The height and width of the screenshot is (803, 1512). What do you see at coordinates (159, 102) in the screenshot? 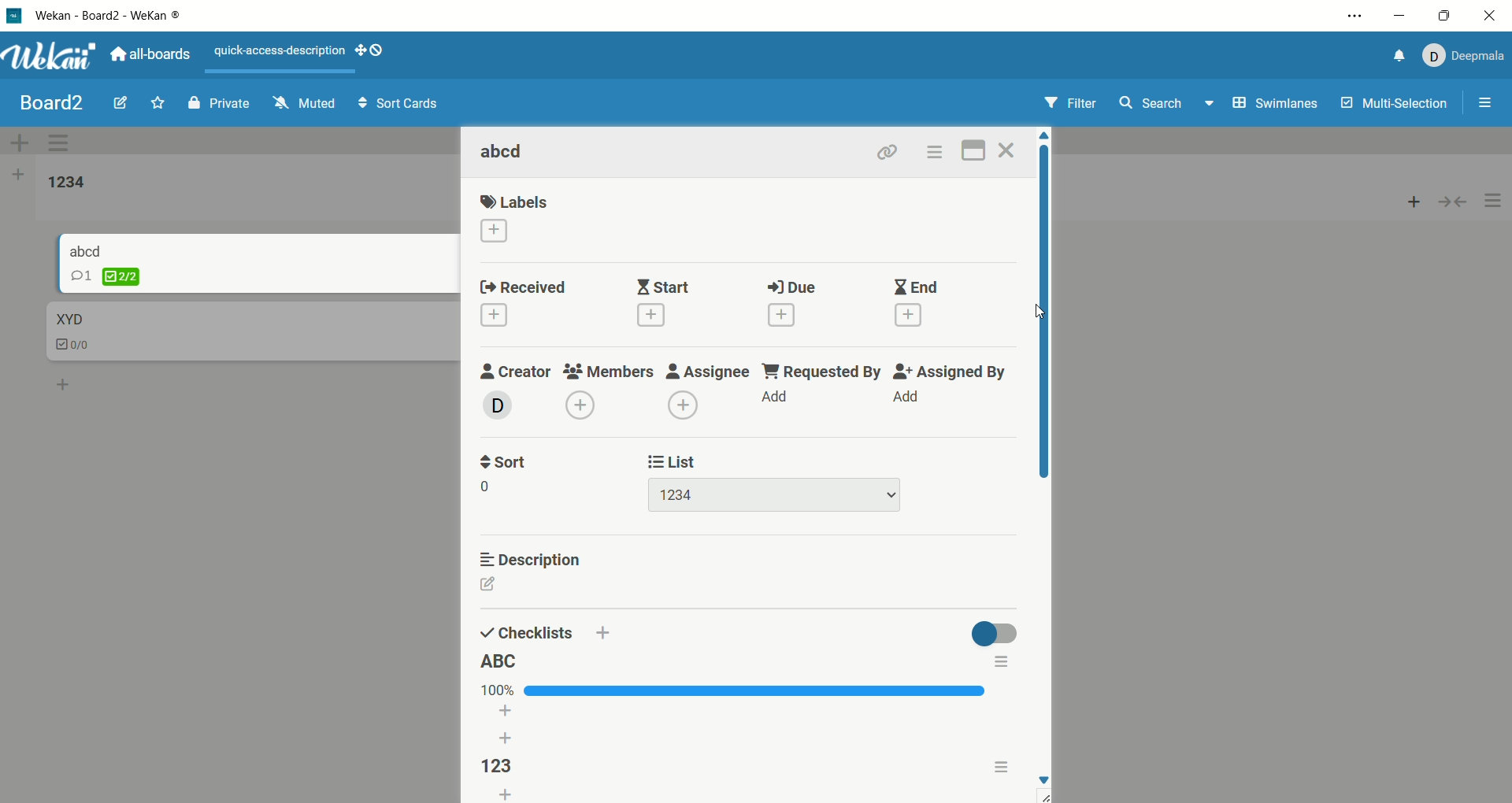
I see `favorite` at bounding box center [159, 102].